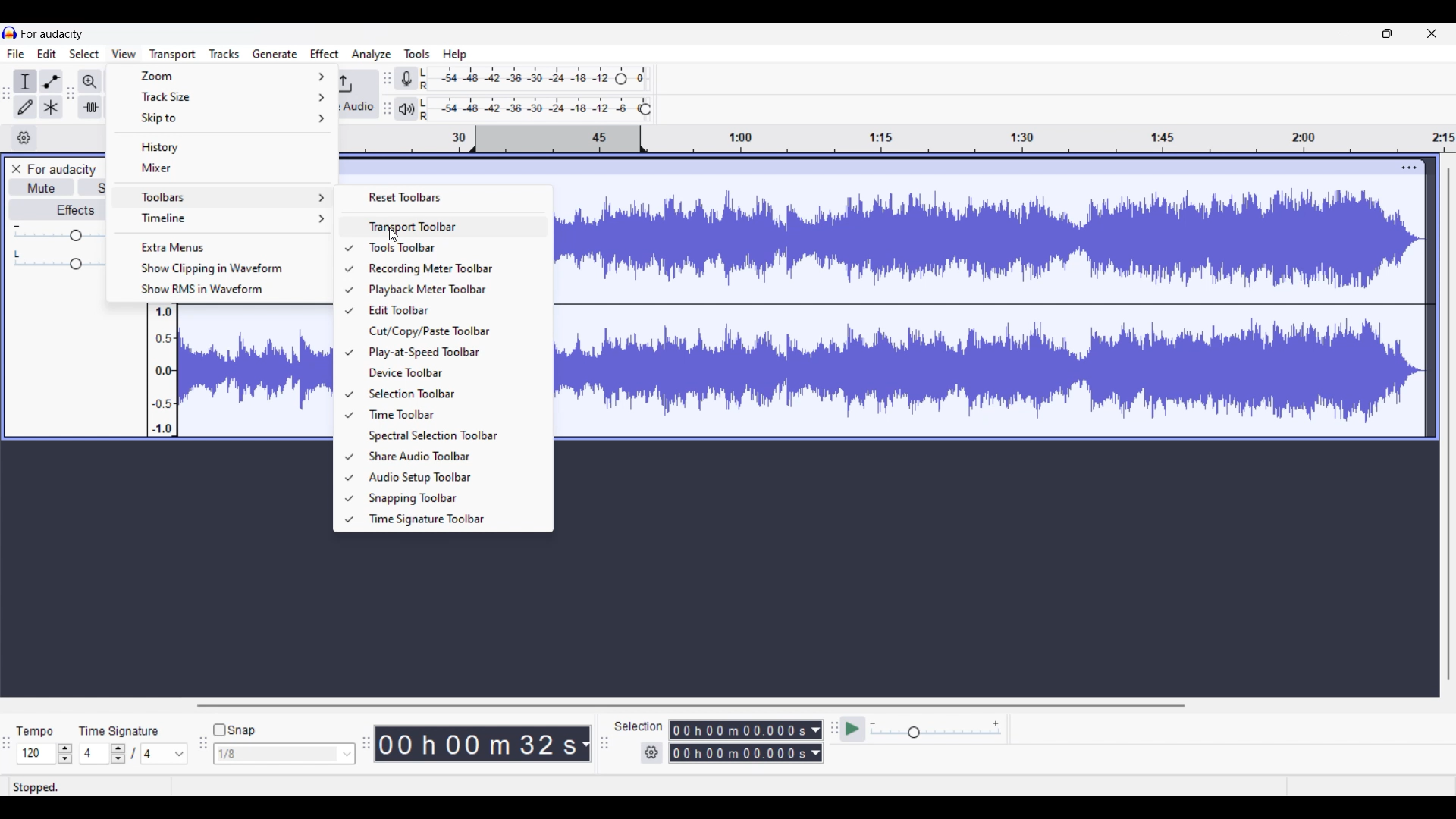 This screenshot has height=819, width=1456. I want to click on Cut/Copy/Paste toolbar, so click(454, 331).